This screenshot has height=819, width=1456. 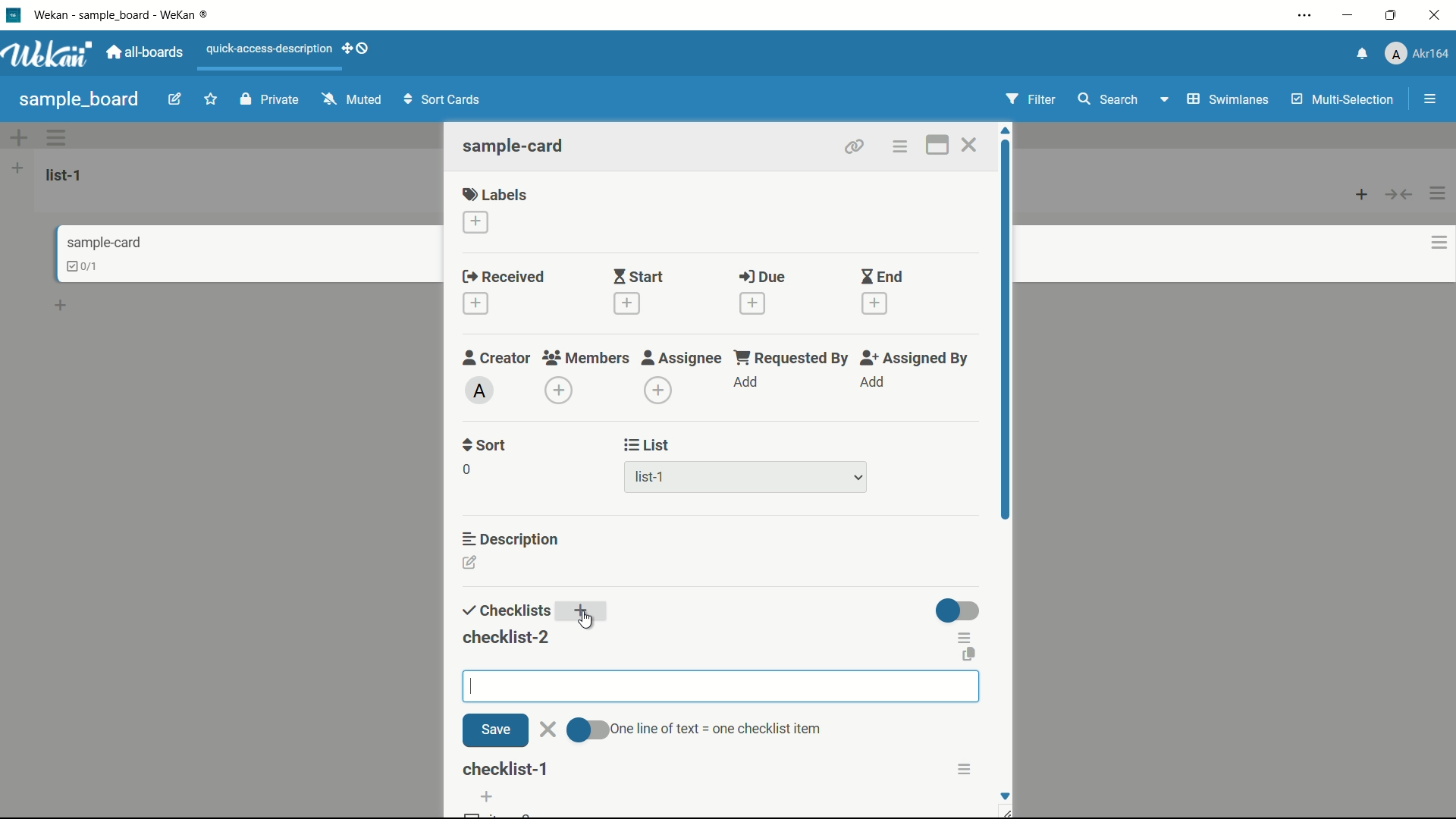 What do you see at coordinates (625, 303) in the screenshot?
I see `add date` at bounding box center [625, 303].